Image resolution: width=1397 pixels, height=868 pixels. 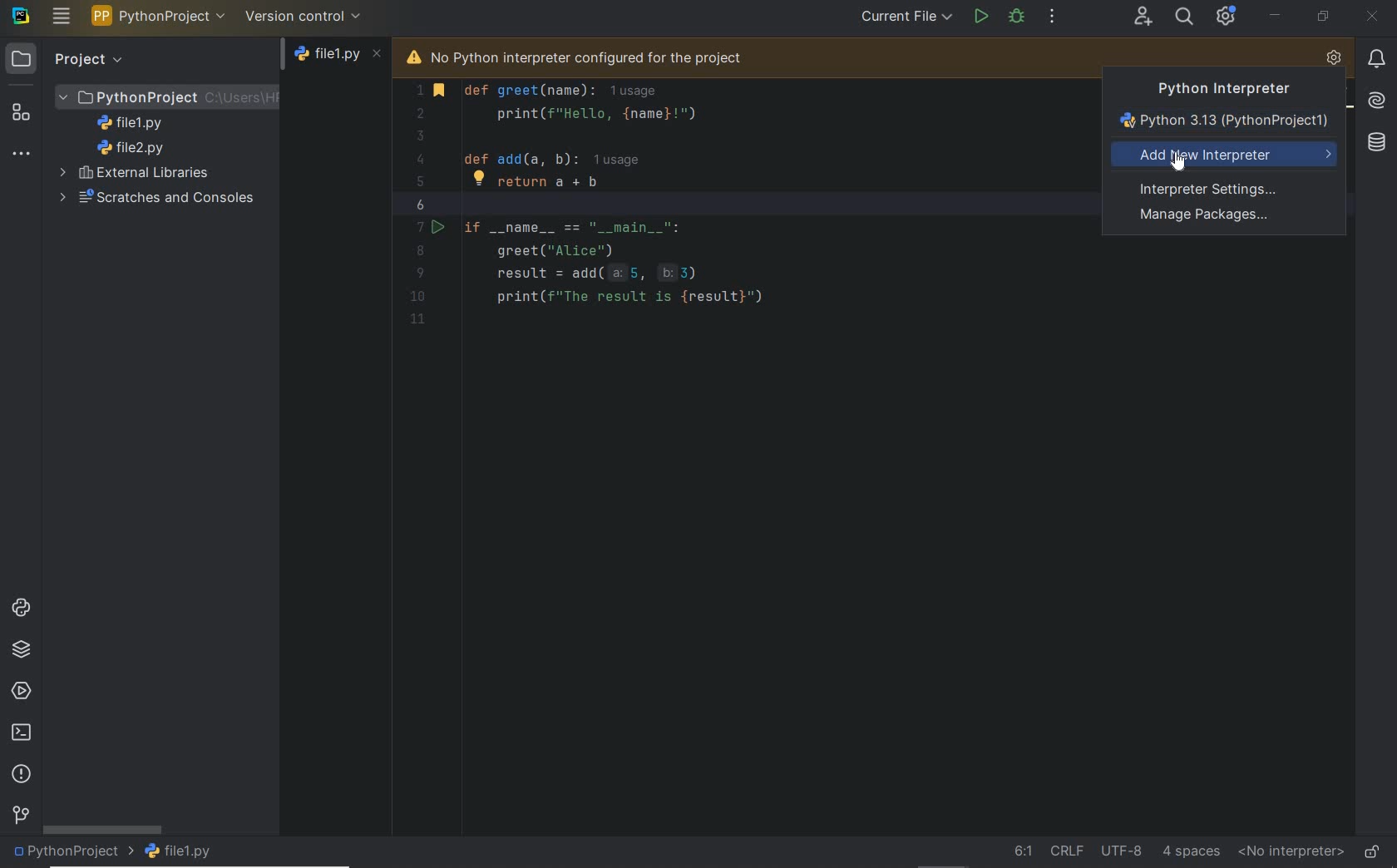 What do you see at coordinates (20, 816) in the screenshot?
I see `version control` at bounding box center [20, 816].